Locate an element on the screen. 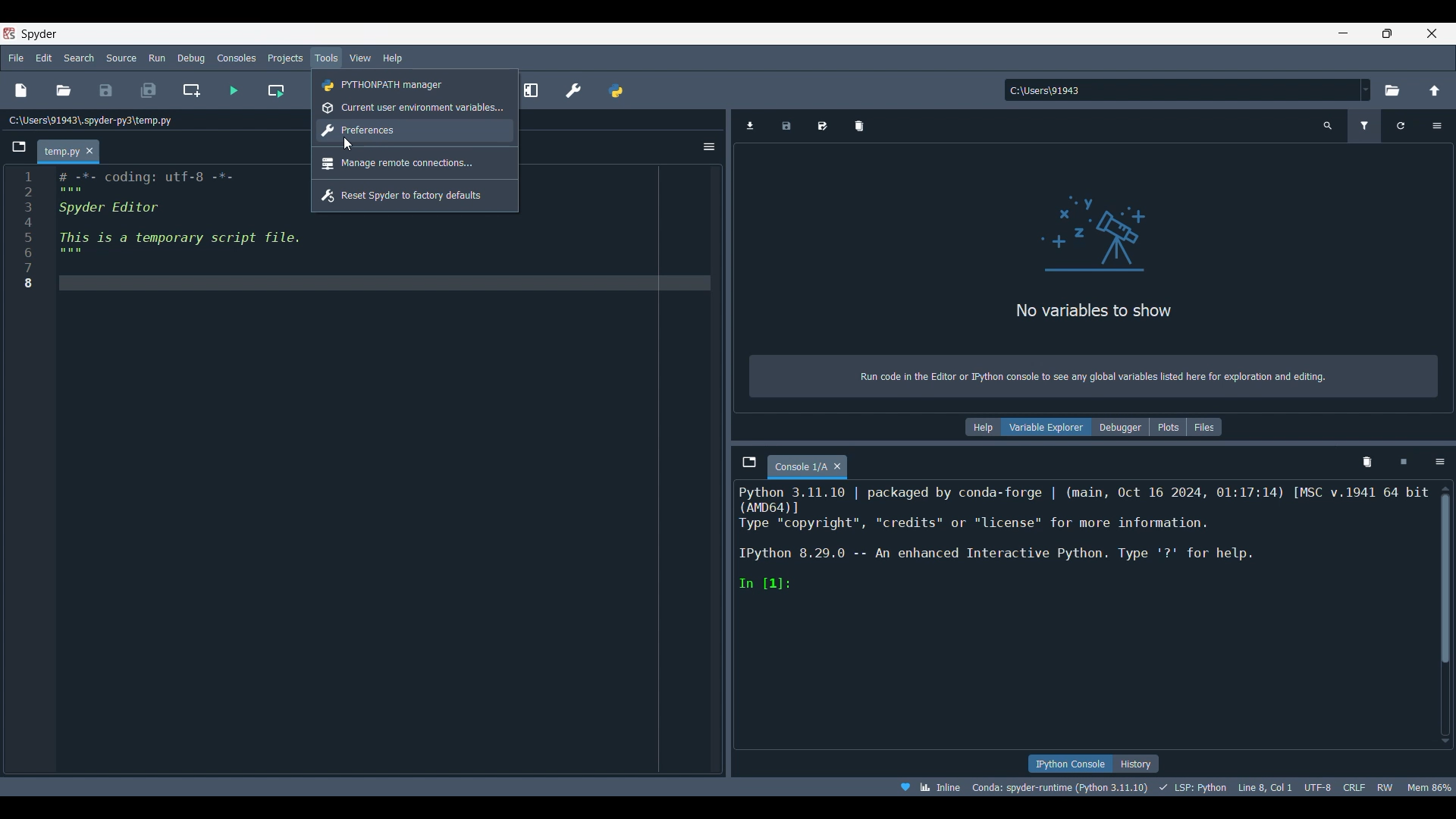 The height and width of the screenshot is (819, 1456). Remove all variables from namespace is located at coordinates (1367, 463).